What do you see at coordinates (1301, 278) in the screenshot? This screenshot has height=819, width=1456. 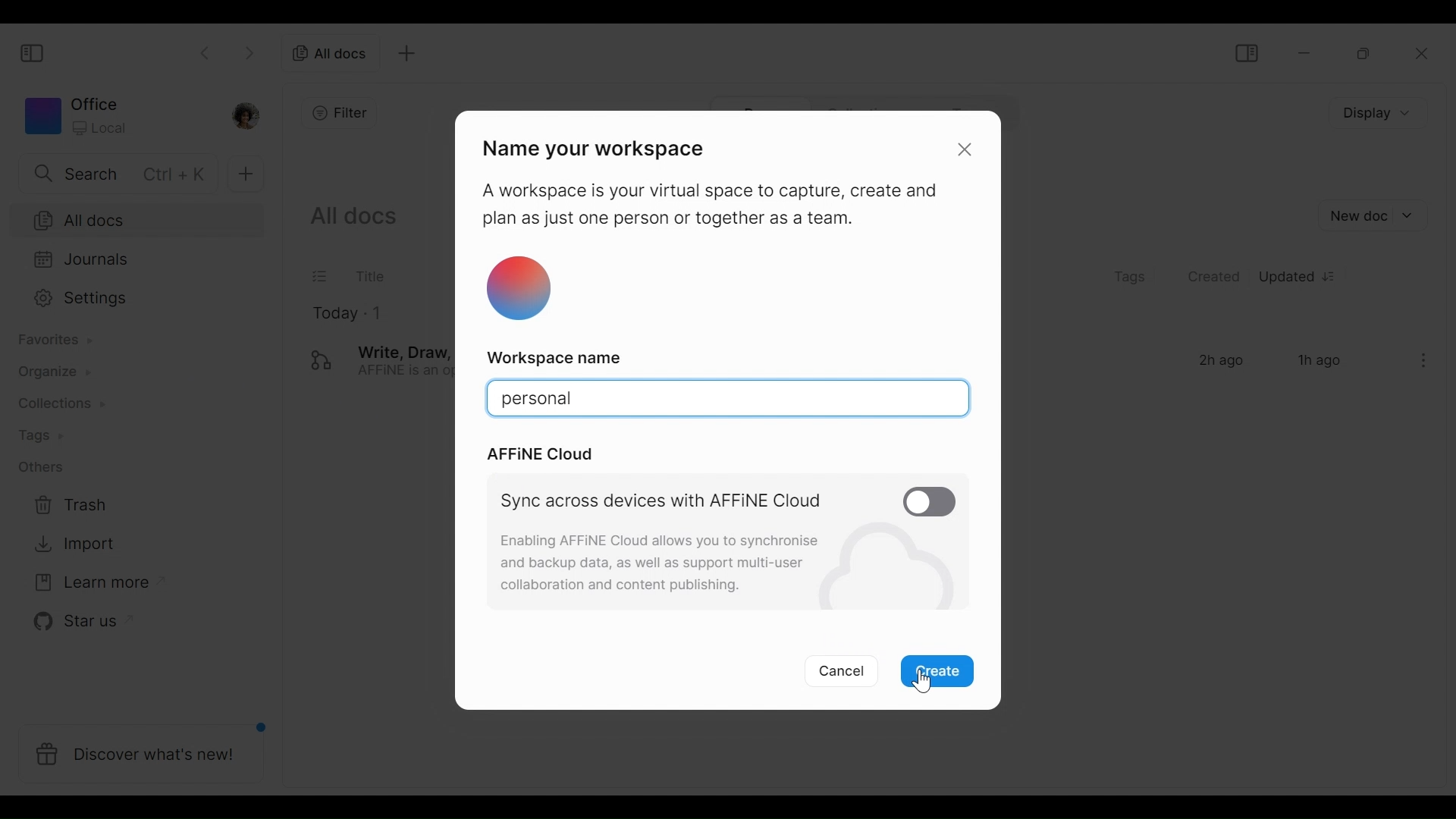 I see `Updated` at bounding box center [1301, 278].